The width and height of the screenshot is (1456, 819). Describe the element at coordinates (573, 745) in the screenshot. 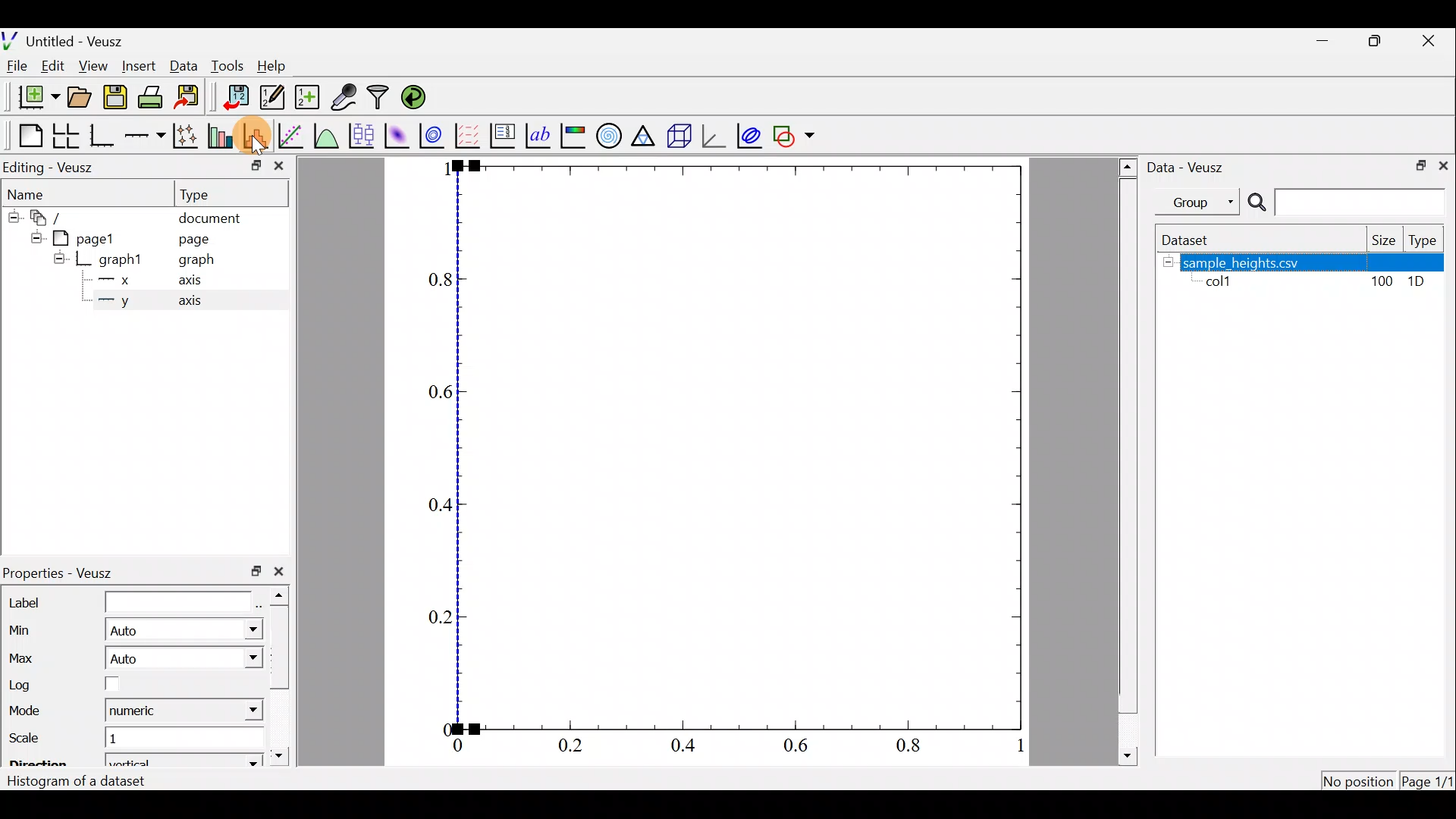

I see `0.2` at that location.